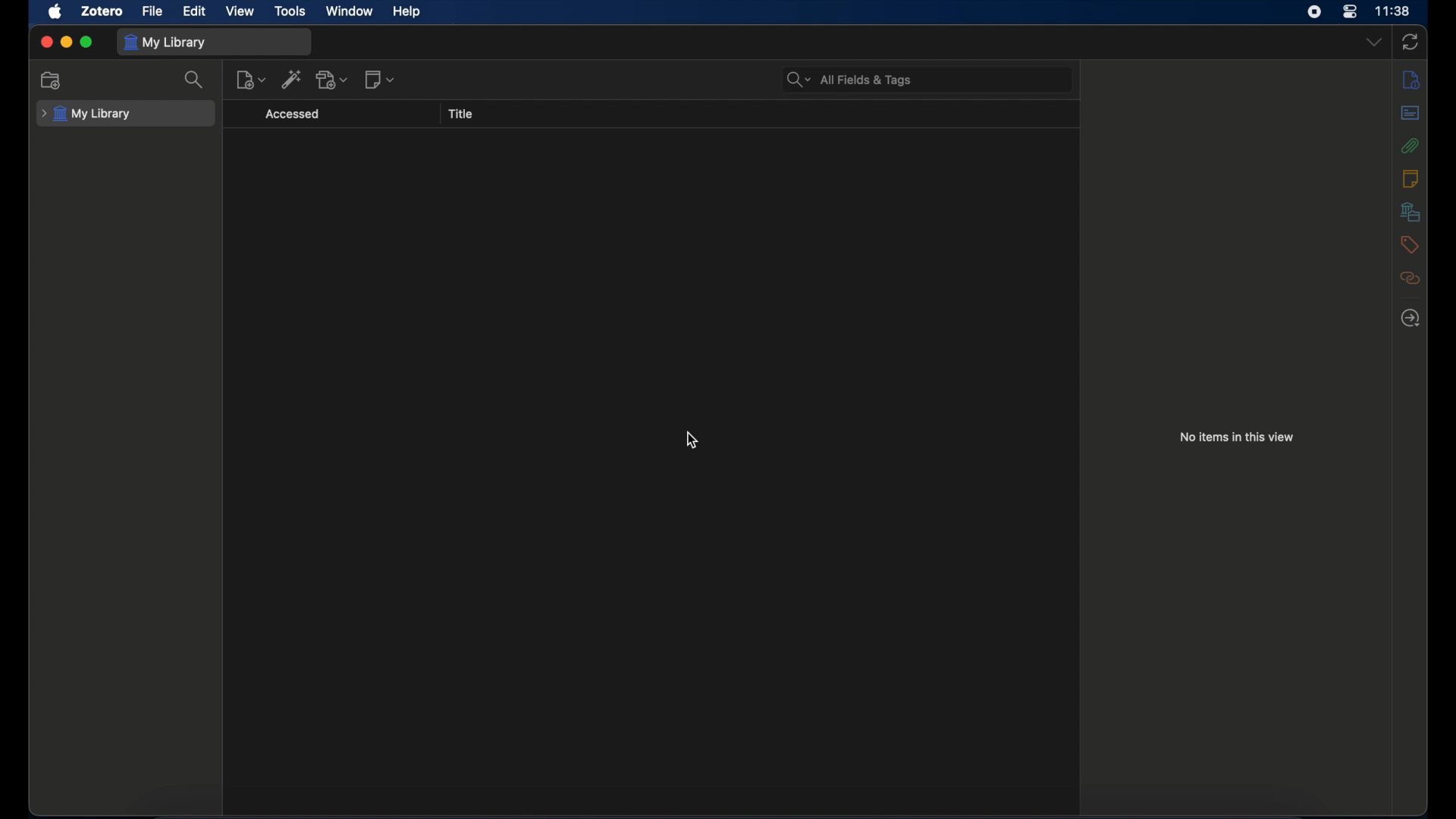  I want to click on my library, so click(86, 114).